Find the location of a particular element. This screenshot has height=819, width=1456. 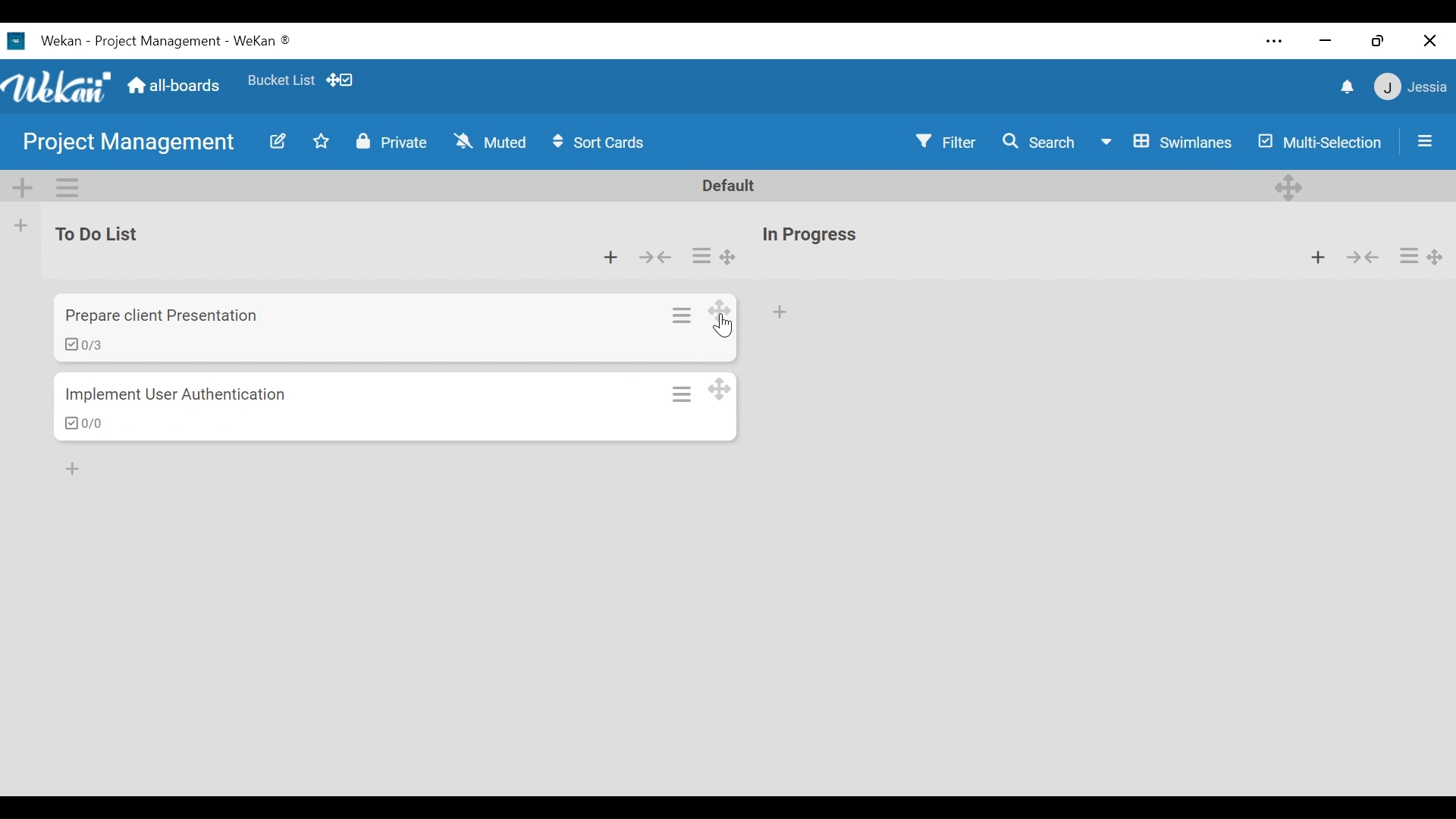

List Name is located at coordinates (101, 232).